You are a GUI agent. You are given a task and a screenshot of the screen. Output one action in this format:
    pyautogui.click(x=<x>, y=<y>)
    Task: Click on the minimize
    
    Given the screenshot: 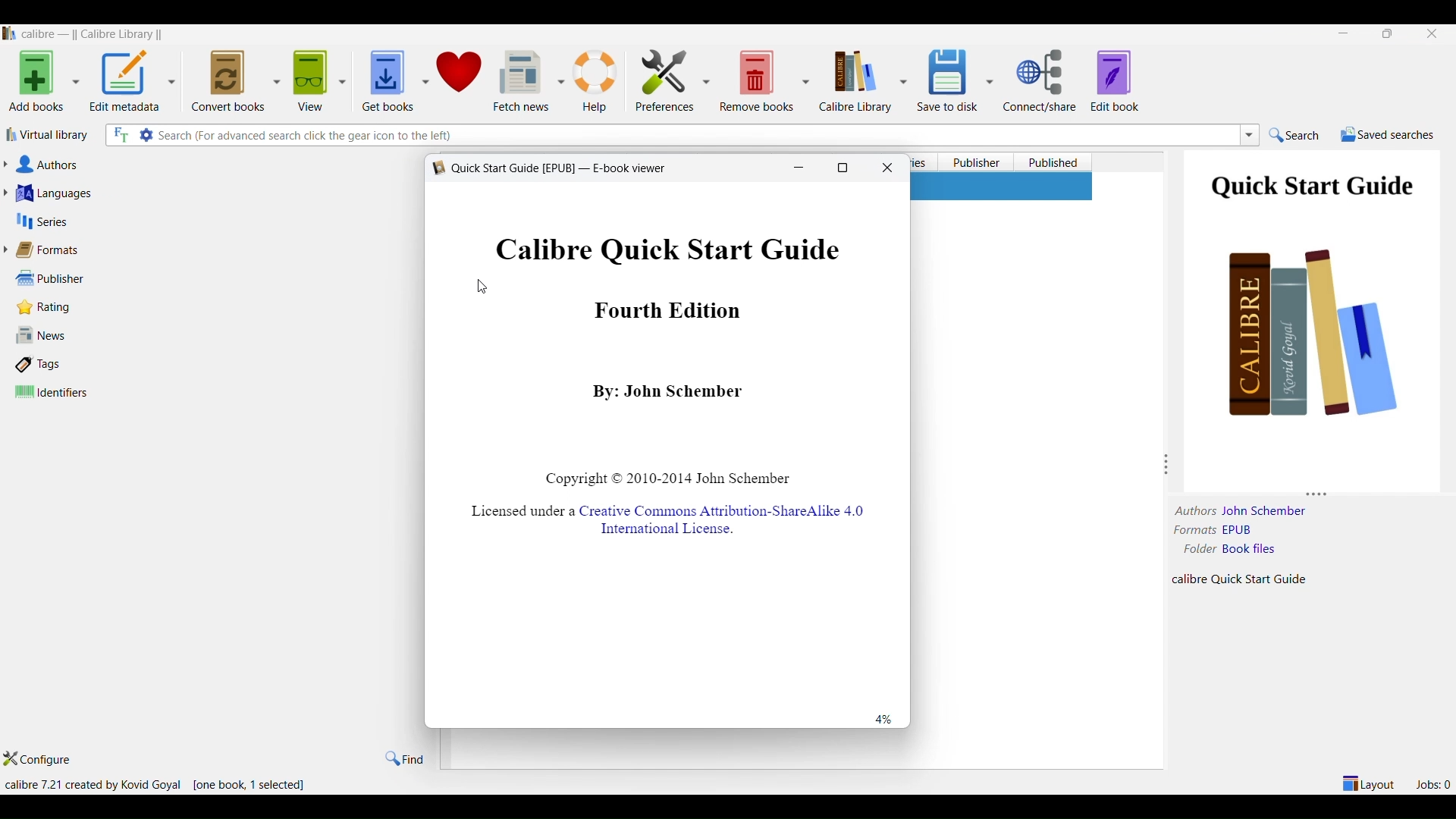 What is the action you would take?
    pyautogui.click(x=799, y=165)
    